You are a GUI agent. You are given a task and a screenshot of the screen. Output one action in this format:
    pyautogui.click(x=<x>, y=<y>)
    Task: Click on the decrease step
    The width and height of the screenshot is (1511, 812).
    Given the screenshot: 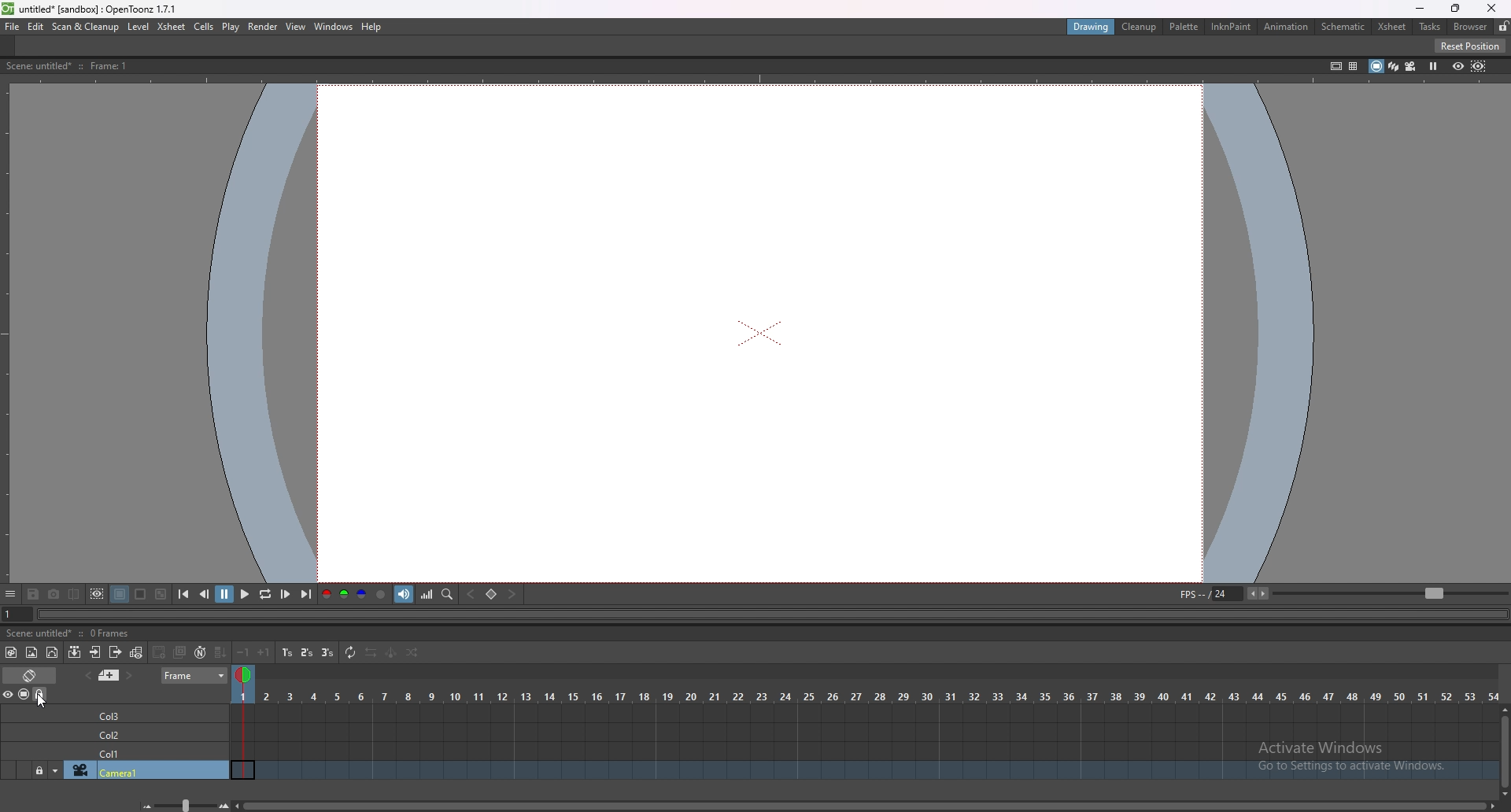 What is the action you would take?
    pyautogui.click(x=244, y=652)
    